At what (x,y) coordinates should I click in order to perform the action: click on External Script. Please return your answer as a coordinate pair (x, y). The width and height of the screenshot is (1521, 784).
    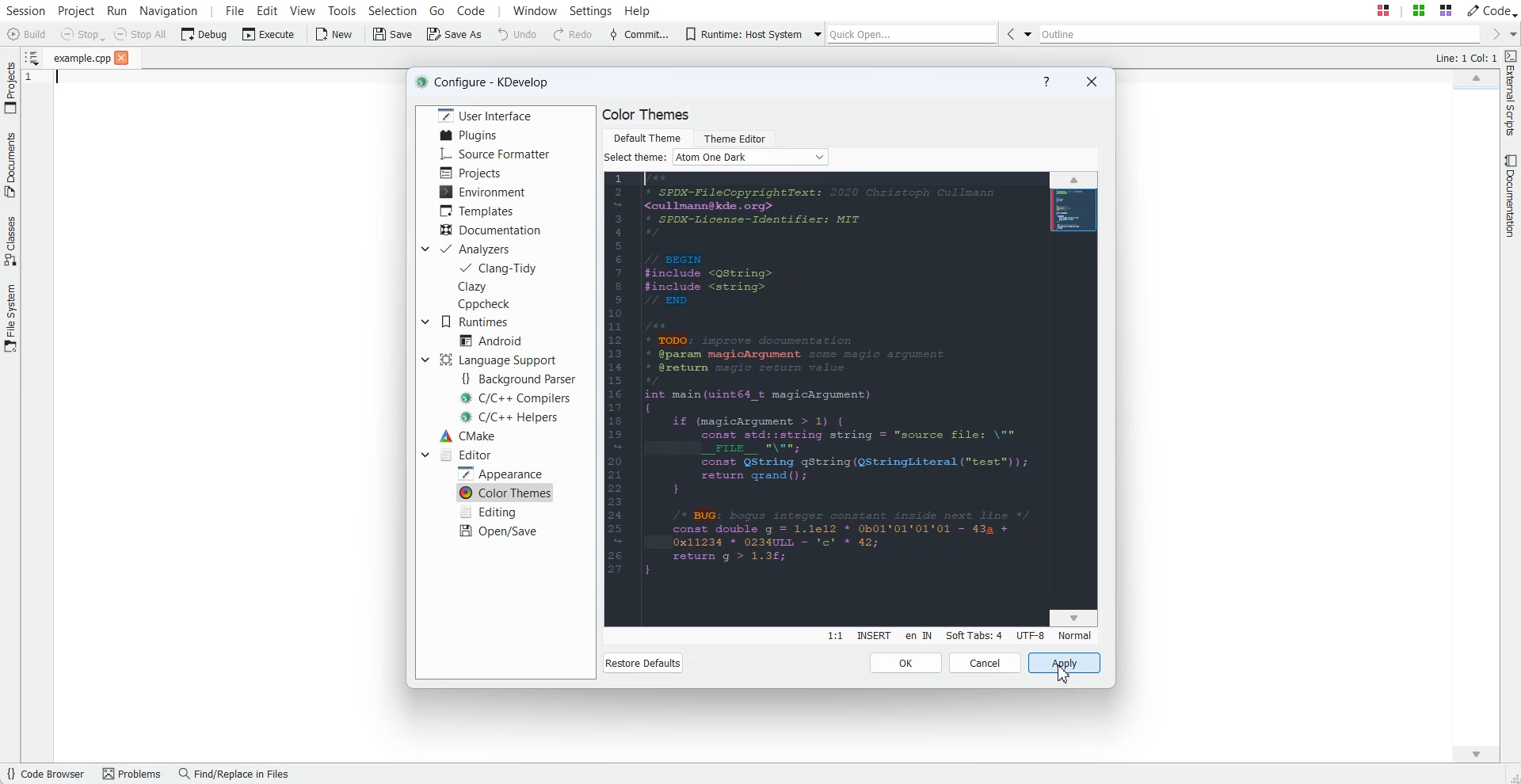
    Looking at the image, I should click on (1511, 94).